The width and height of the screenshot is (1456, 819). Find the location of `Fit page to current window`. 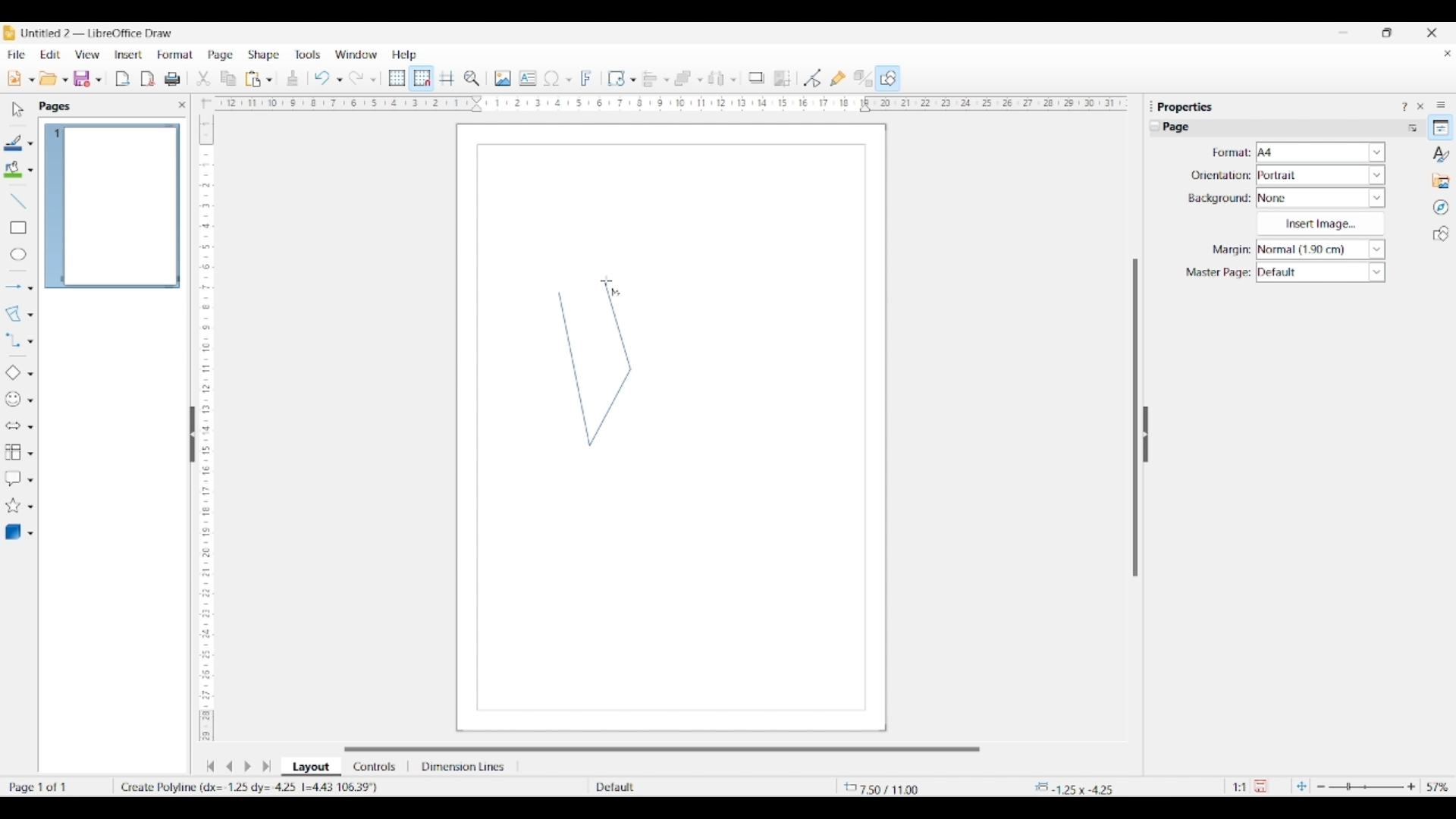

Fit page to current window is located at coordinates (1301, 786).